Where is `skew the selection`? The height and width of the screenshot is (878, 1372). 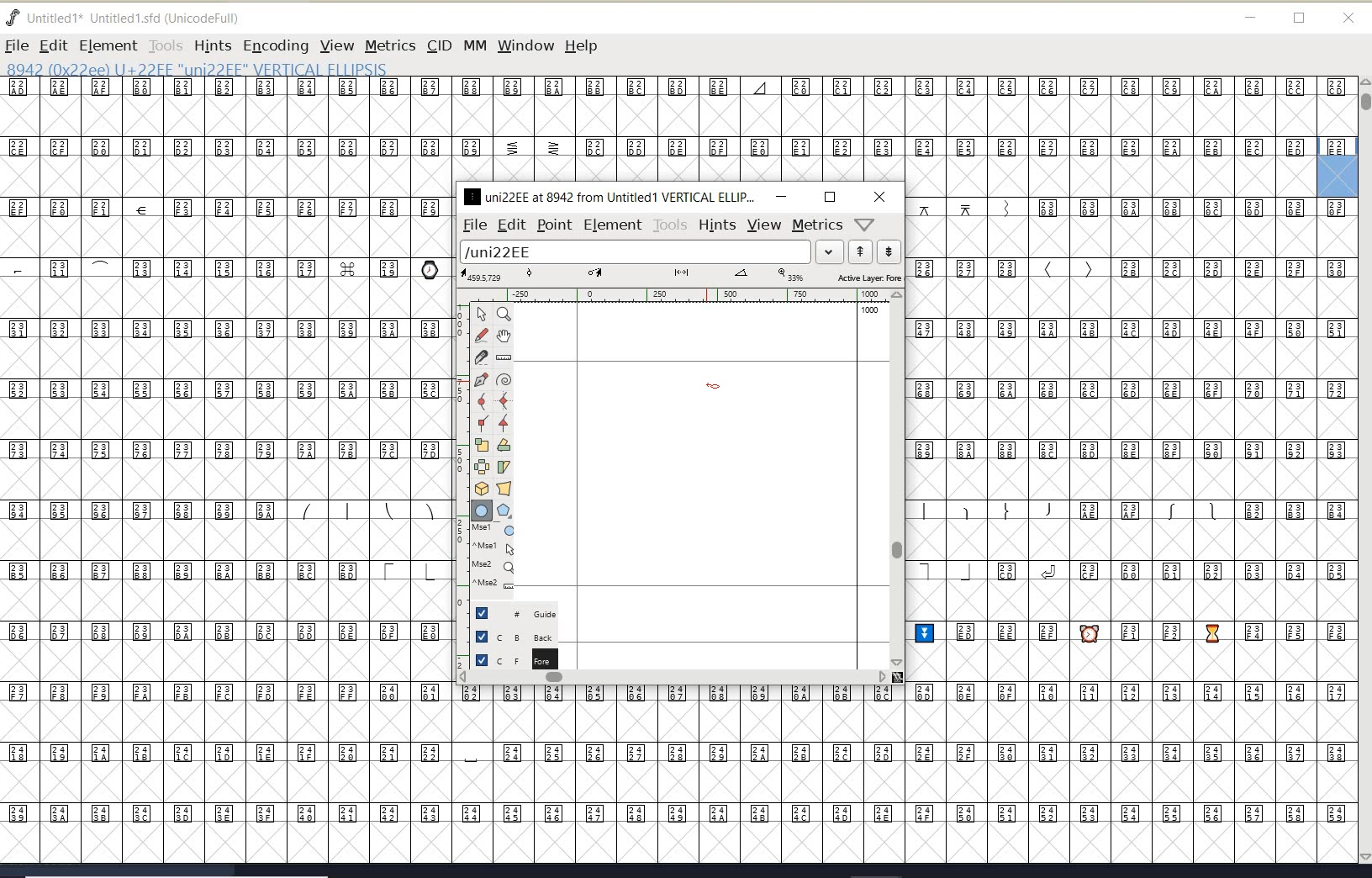 skew the selection is located at coordinates (503, 468).